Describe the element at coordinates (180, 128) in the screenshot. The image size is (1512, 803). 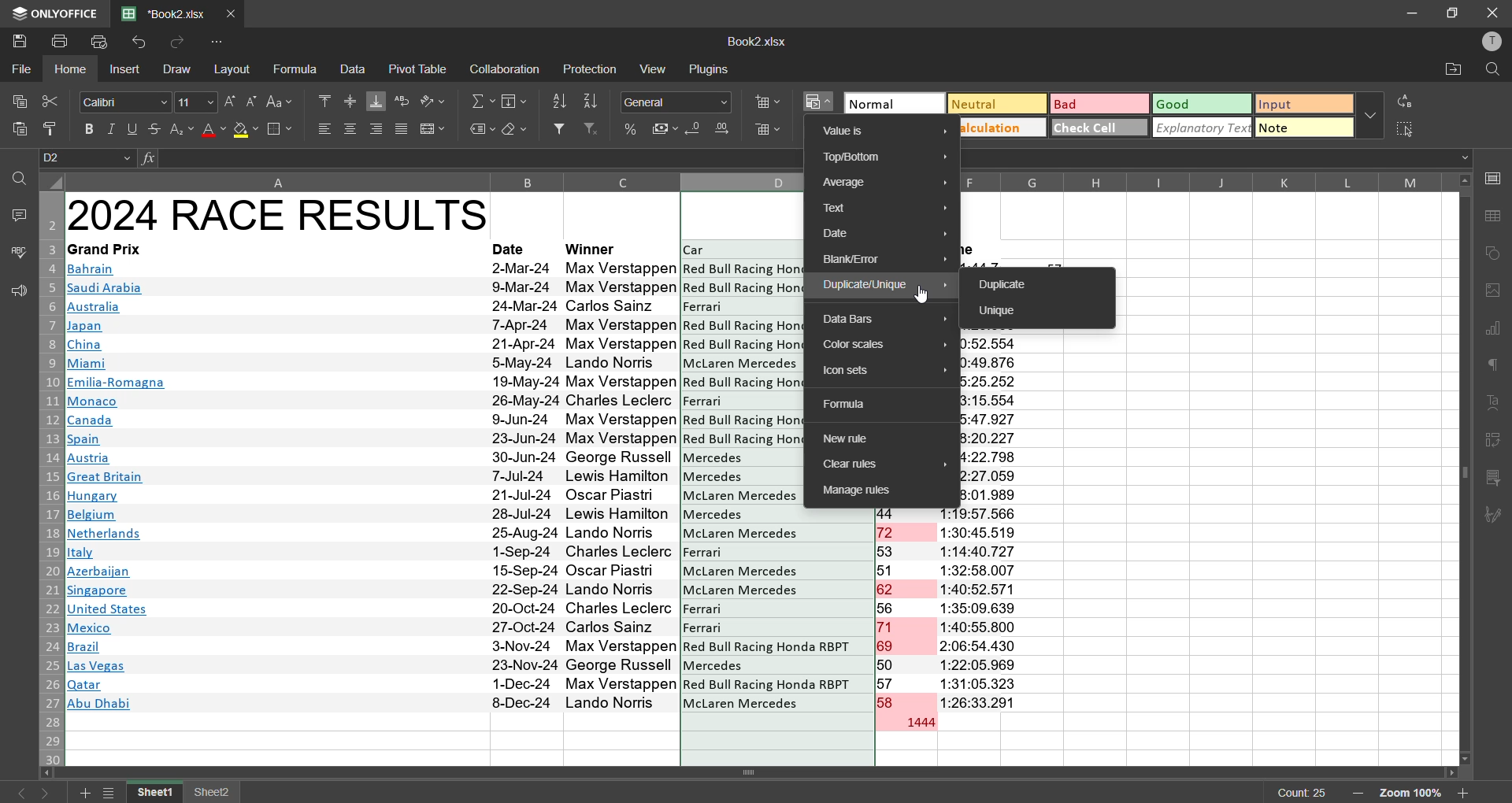
I see `sub/superscript` at that location.